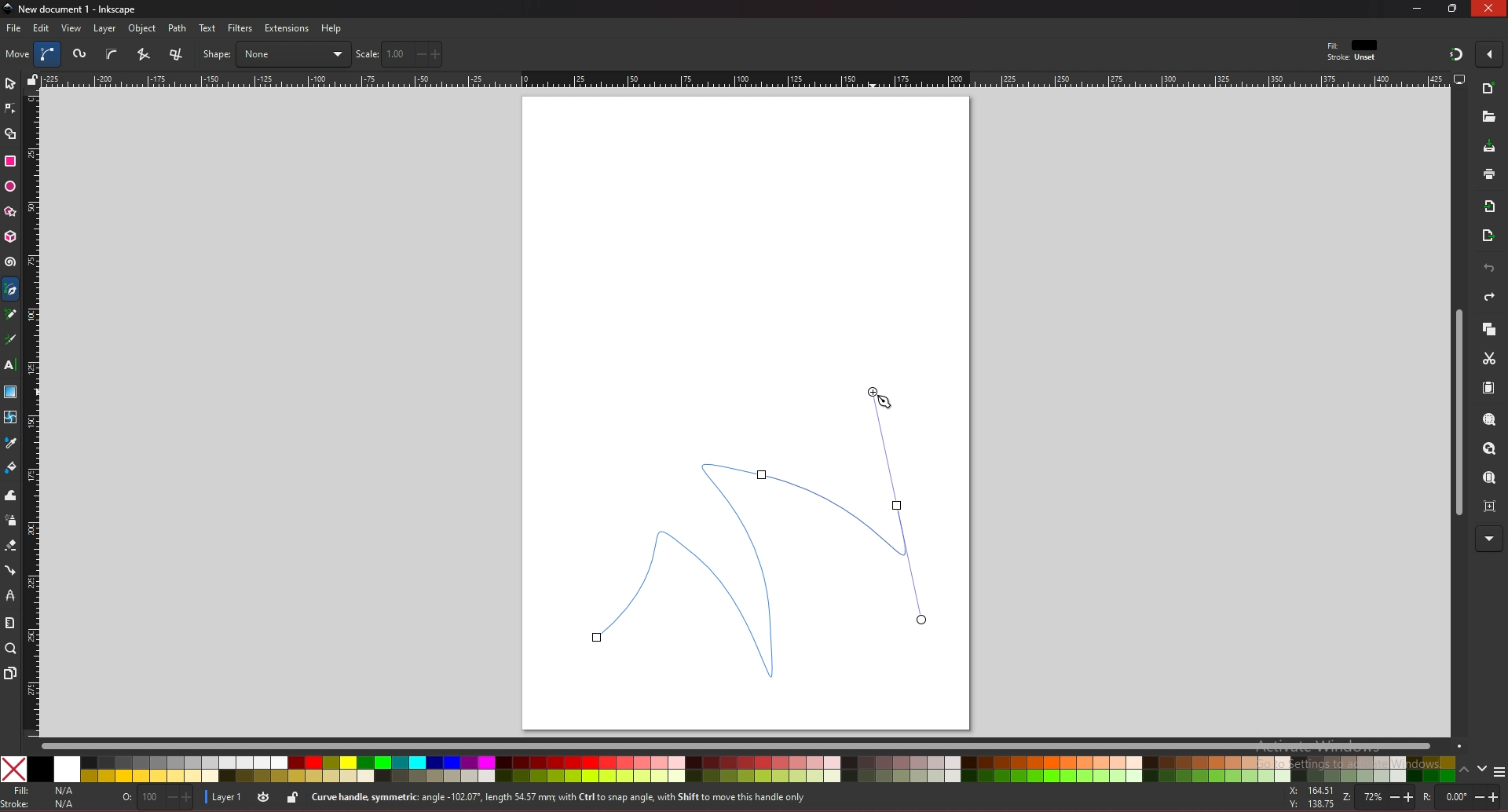  I want to click on paint bucket, so click(11, 466).